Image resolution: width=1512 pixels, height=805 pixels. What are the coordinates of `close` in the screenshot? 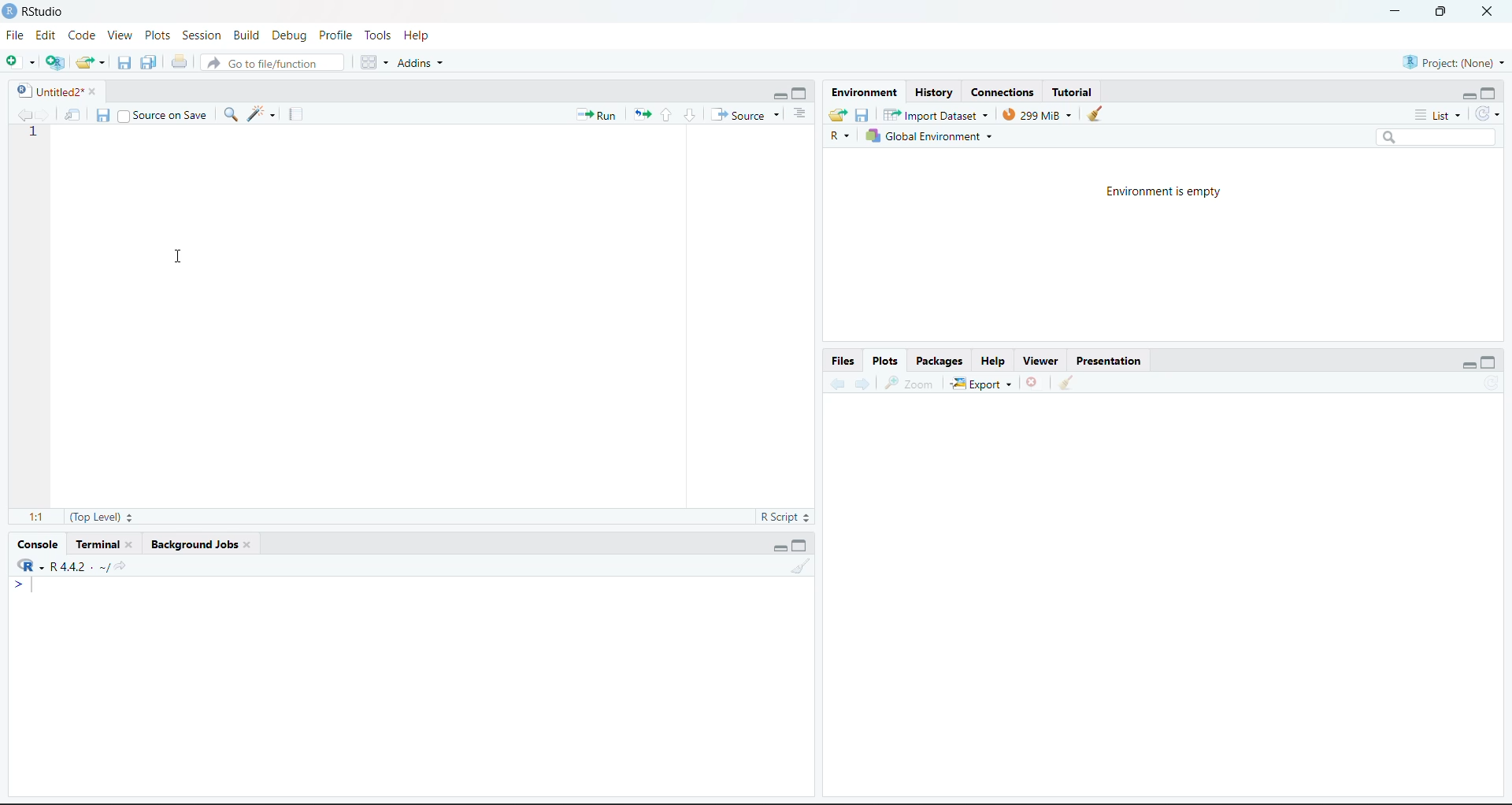 It's located at (132, 544).